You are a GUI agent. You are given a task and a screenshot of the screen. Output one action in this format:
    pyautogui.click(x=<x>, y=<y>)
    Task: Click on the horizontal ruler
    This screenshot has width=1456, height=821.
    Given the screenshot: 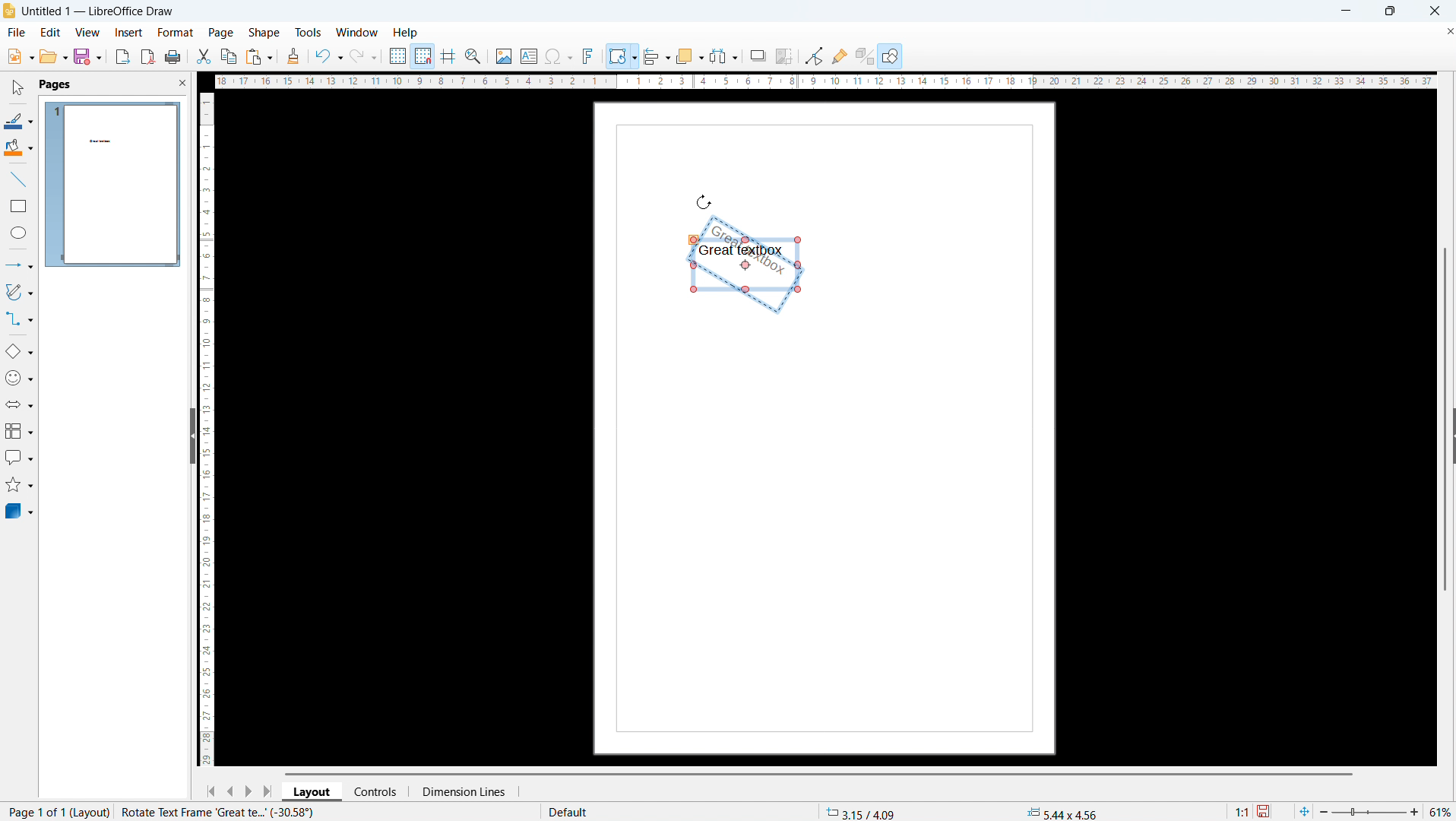 What is the action you would take?
    pyautogui.click(x=825, y=83)
    